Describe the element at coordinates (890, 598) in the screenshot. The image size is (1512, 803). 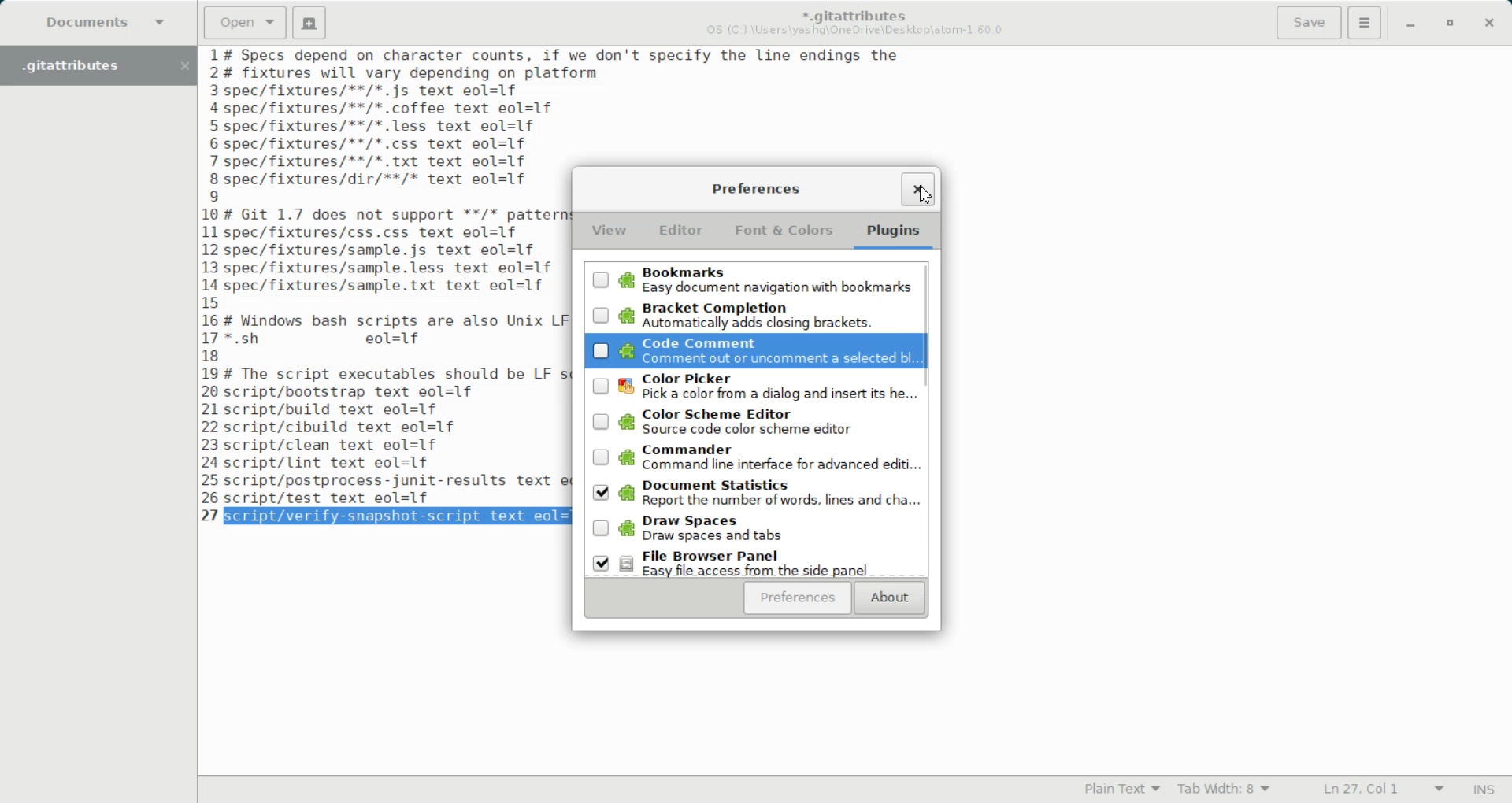
I see `About` at that location.